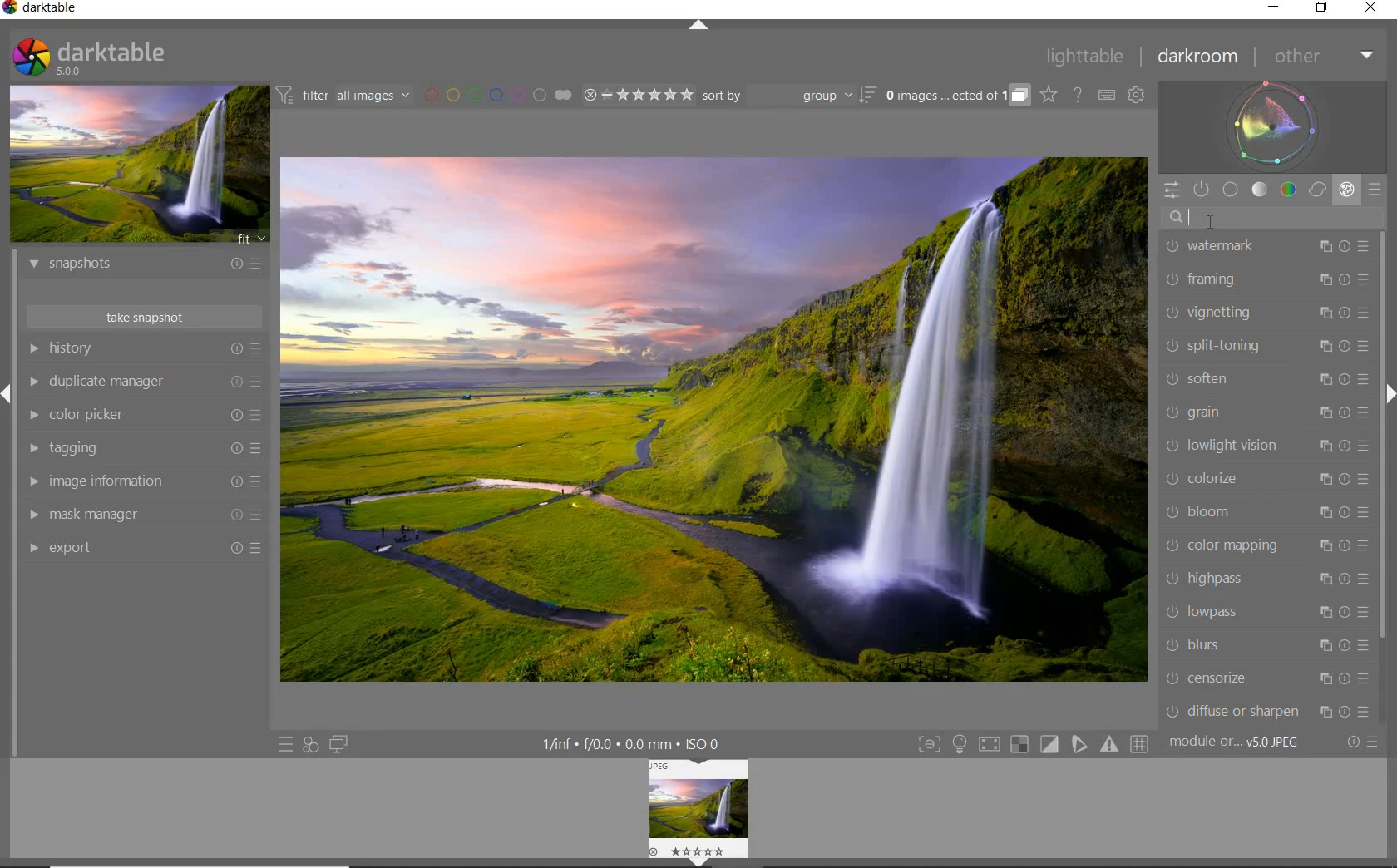 Image resolution: width=1397 pixels, height=868 pixels. I want to click on diffuse or sharpen, so click(1268, 711).